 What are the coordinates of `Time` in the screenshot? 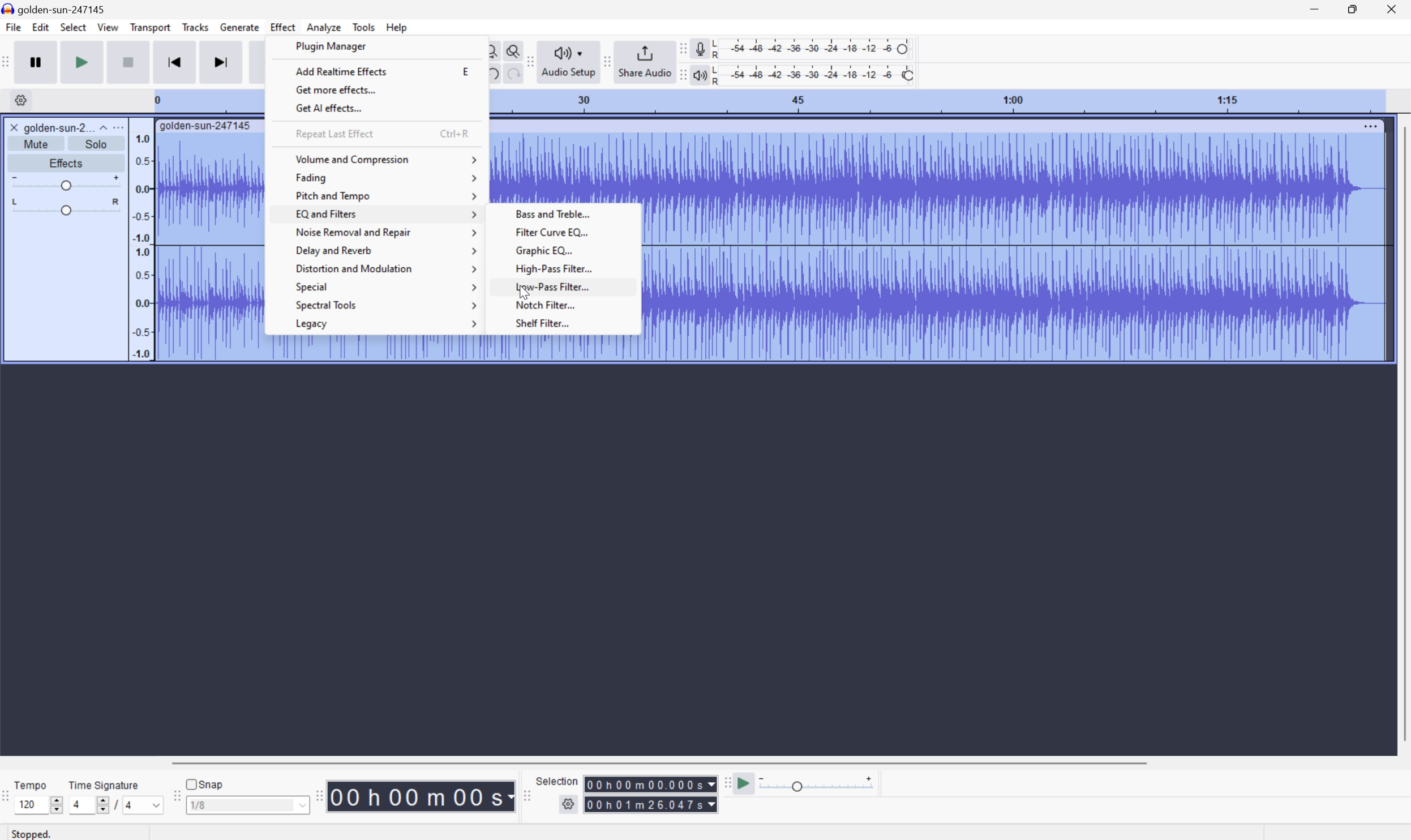 It's located at (422, 795).